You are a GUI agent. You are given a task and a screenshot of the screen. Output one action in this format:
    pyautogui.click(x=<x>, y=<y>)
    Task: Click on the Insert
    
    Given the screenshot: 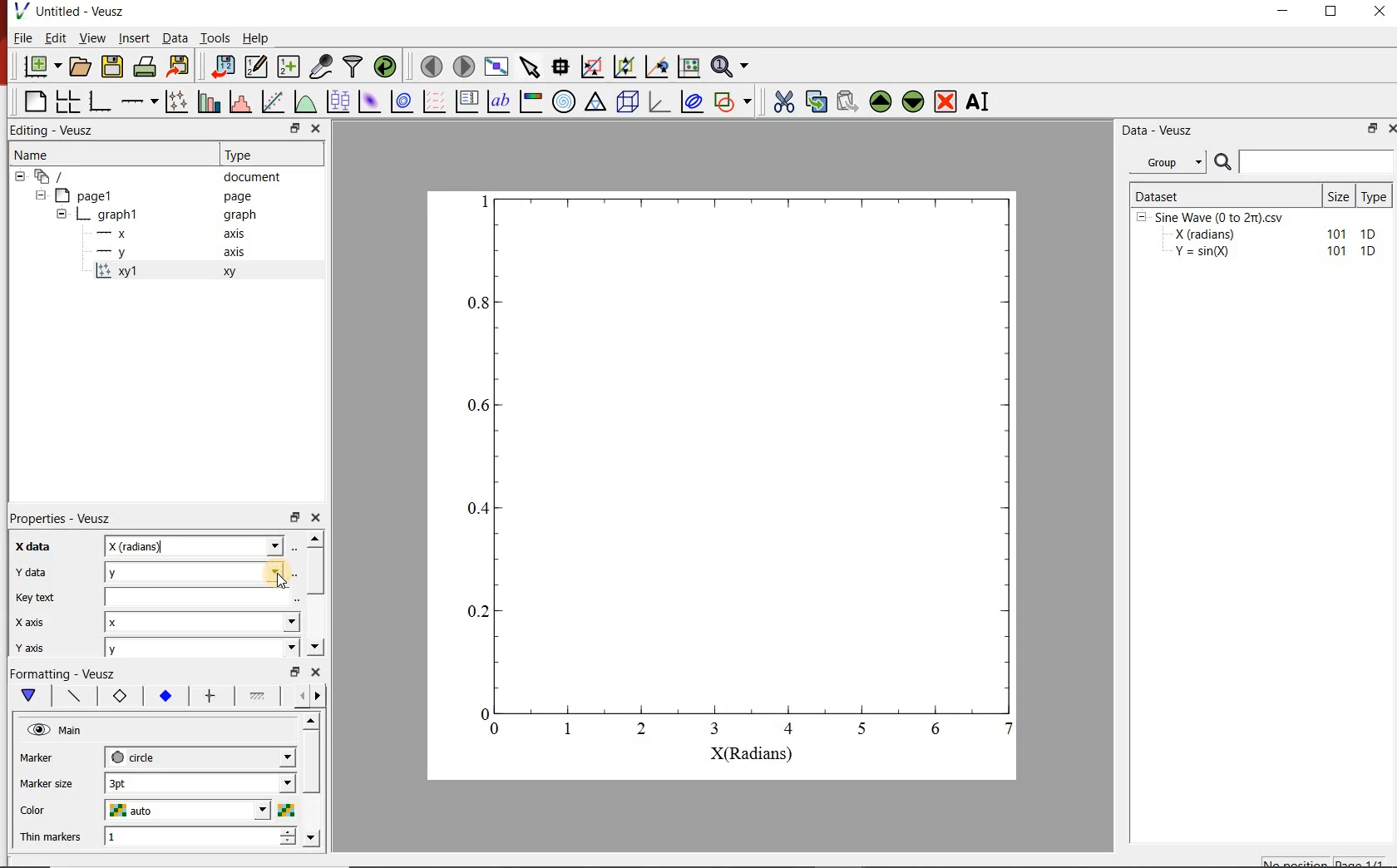 What is the action you would take?
    pyautogui.click(x=135, y=37)
    